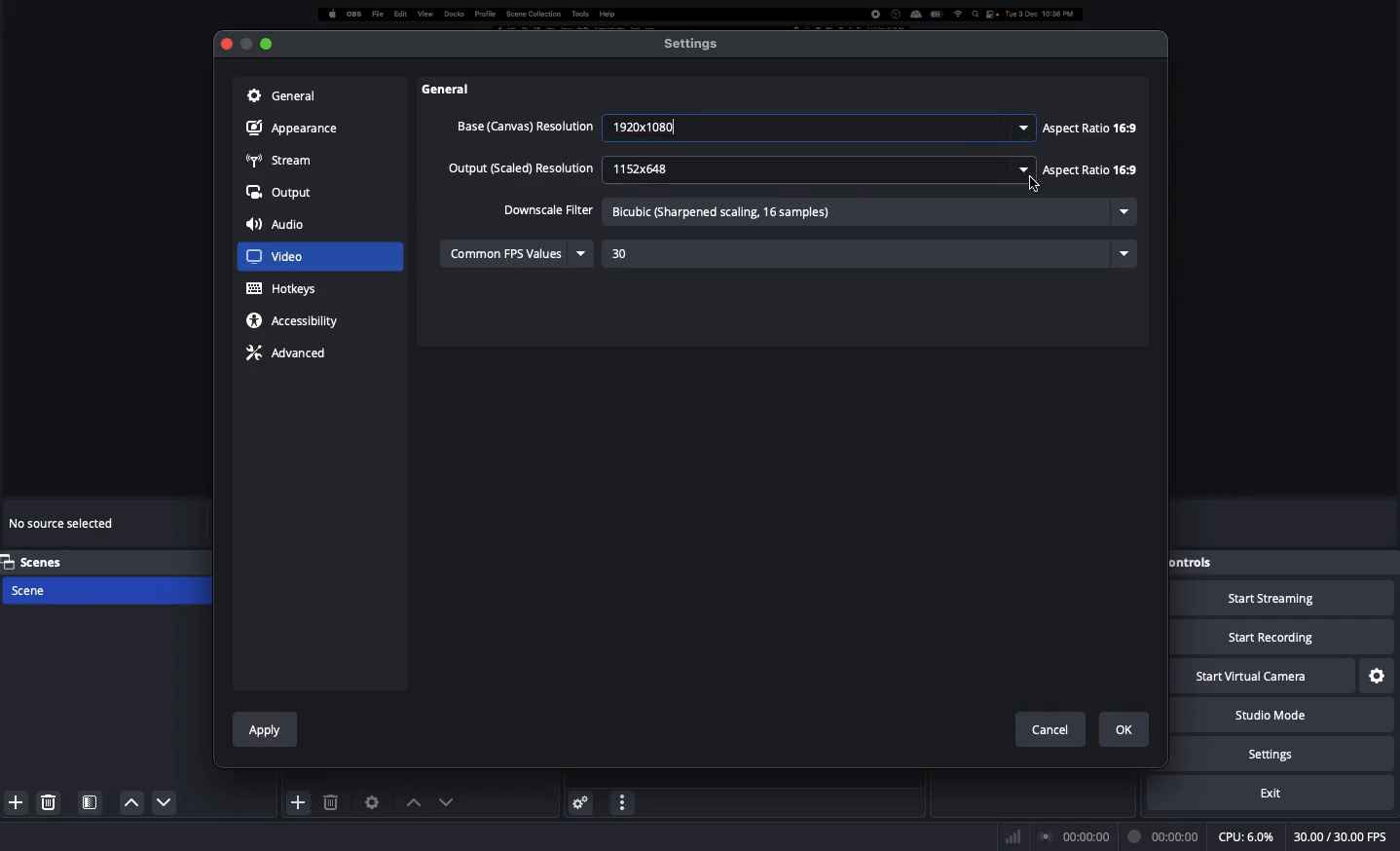 This screenshot has width=1400, height=851. What do you see at coordinates (1007, 835) in the screenshot?
I see `Network` at bounding box center [1007, 835].